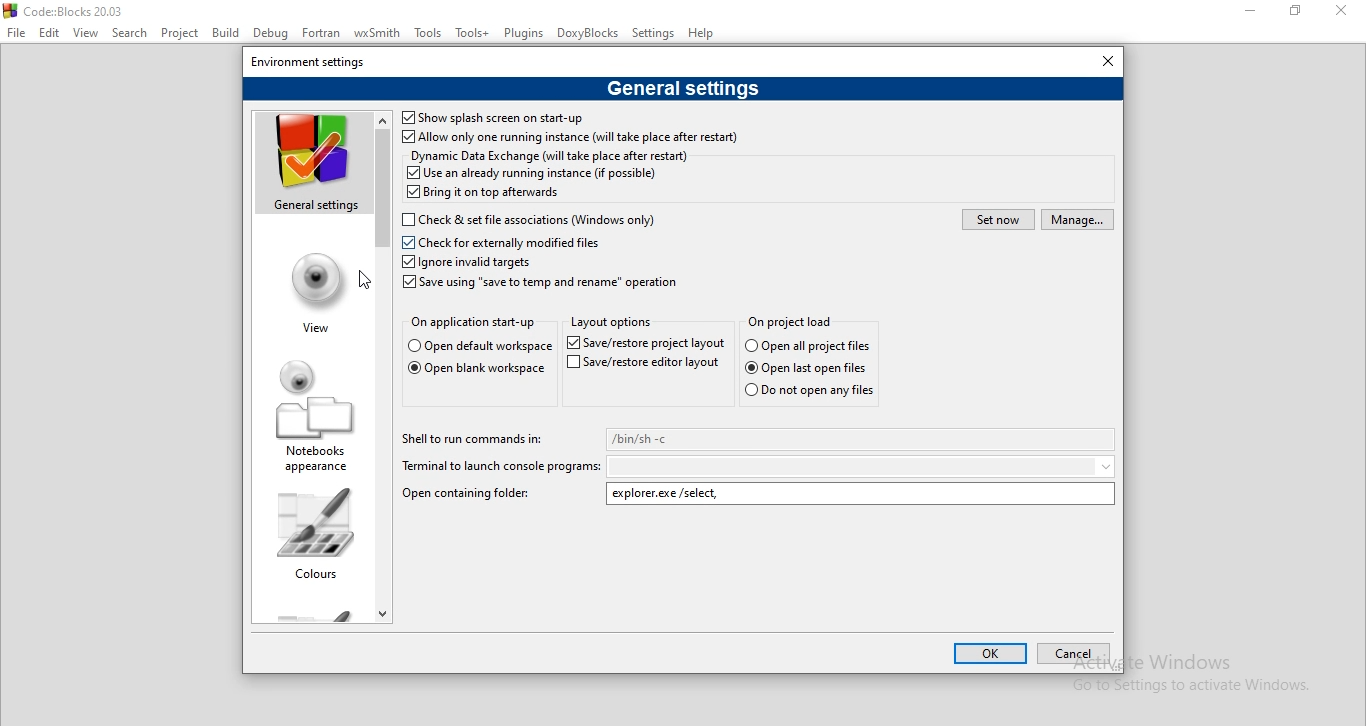 The width and height of the screenshot is (1366, 726). I want to click on dropdown, so click(858, 466).